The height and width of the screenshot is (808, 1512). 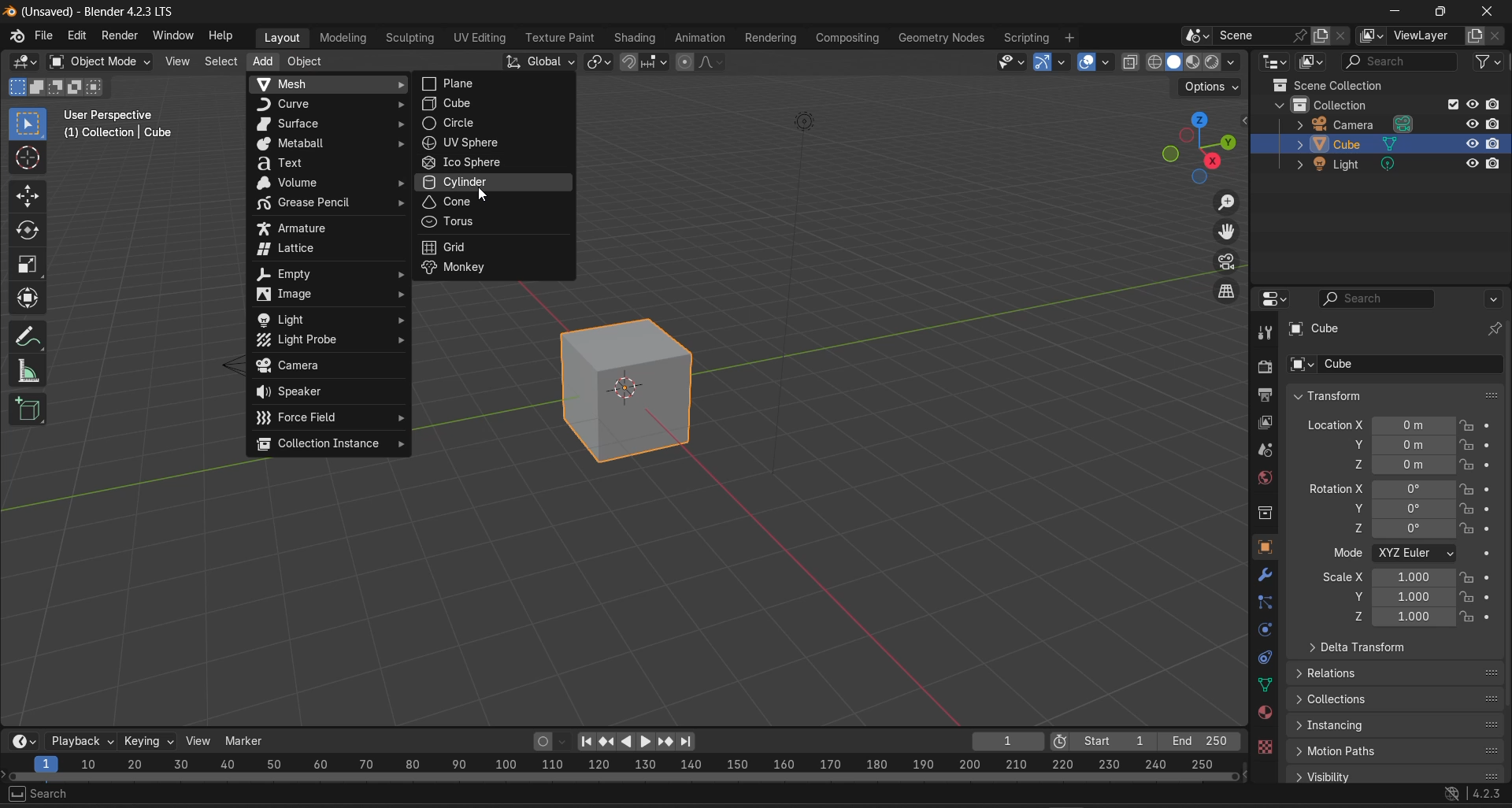 I want to click on hide in view port, so click(x=1471, y=142).